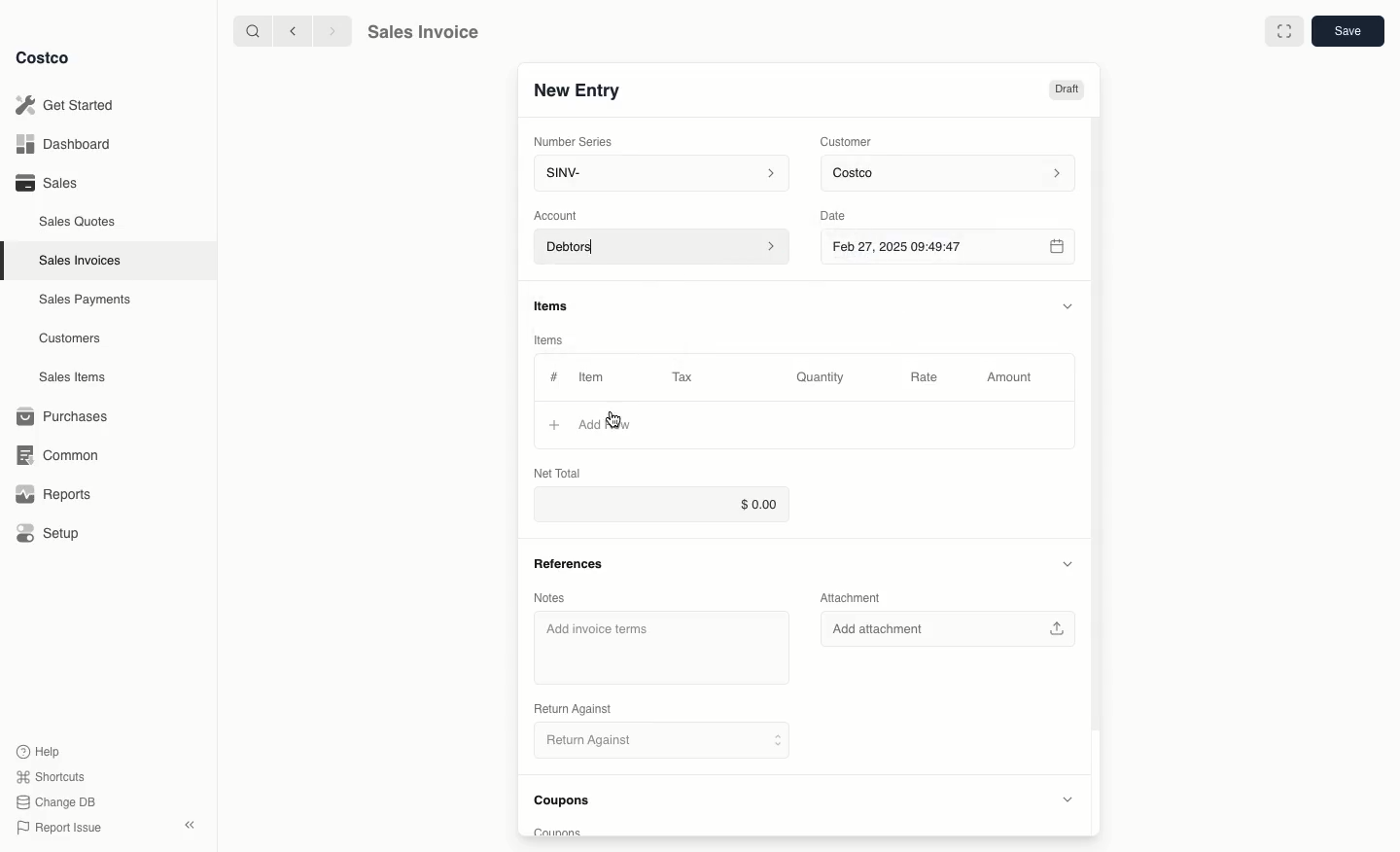 Image resolution: width=1400 pixels, height=852 pixels. I want to click on Get Started, so click(68, 105).